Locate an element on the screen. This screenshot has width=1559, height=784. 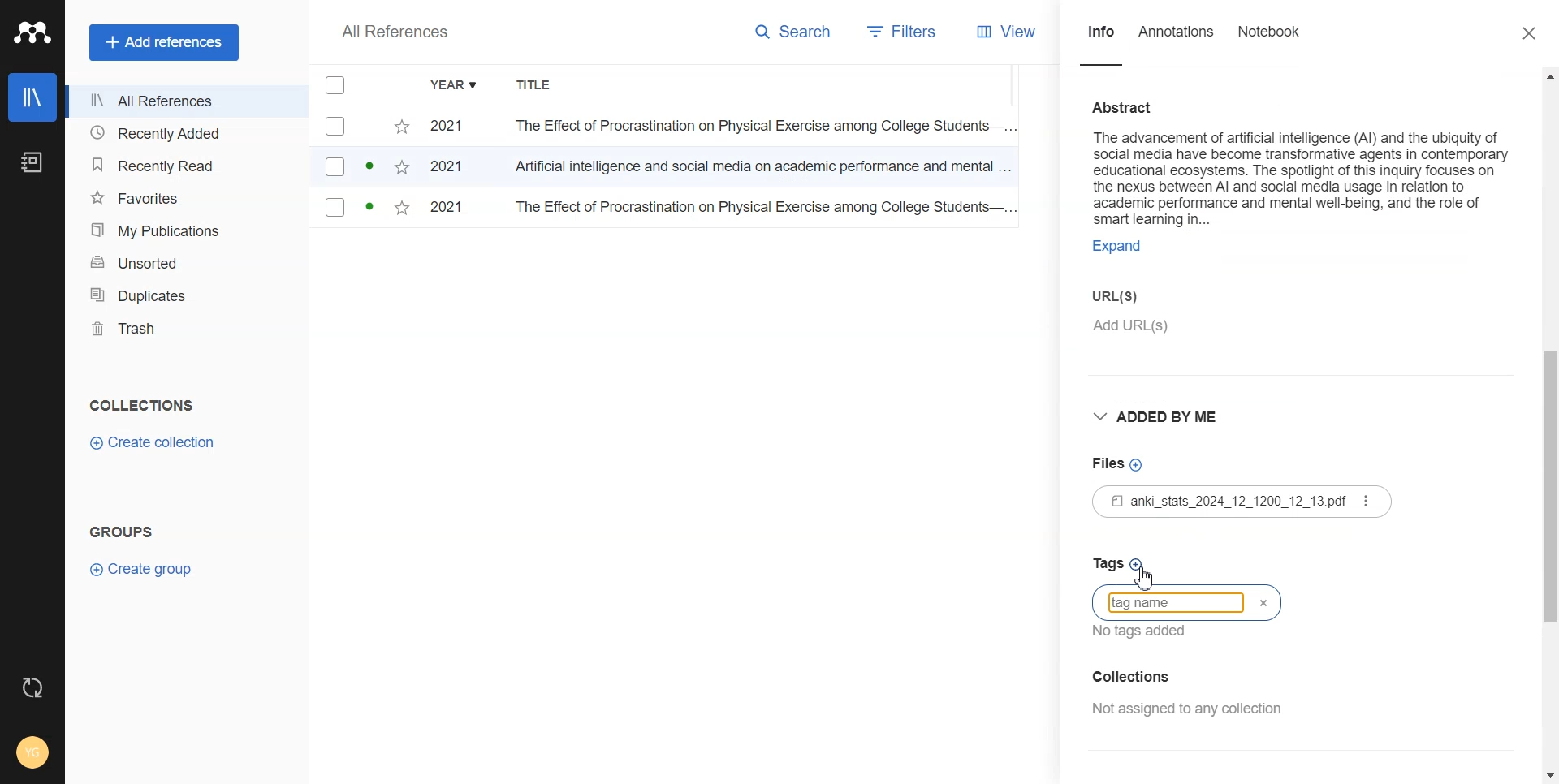
Add collection is located at coordinates (1187, 676).